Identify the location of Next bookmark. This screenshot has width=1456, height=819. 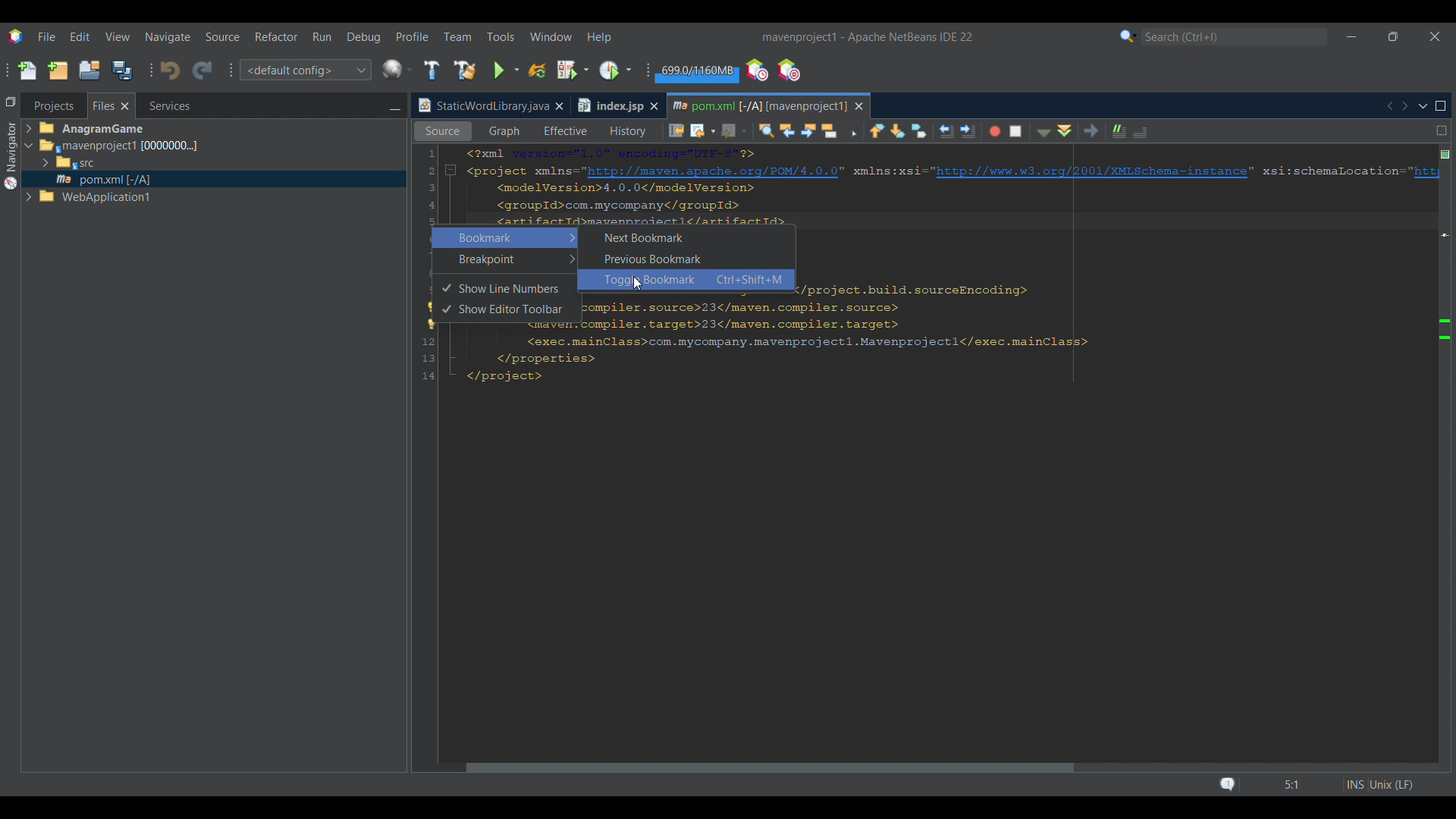
(899, 130).